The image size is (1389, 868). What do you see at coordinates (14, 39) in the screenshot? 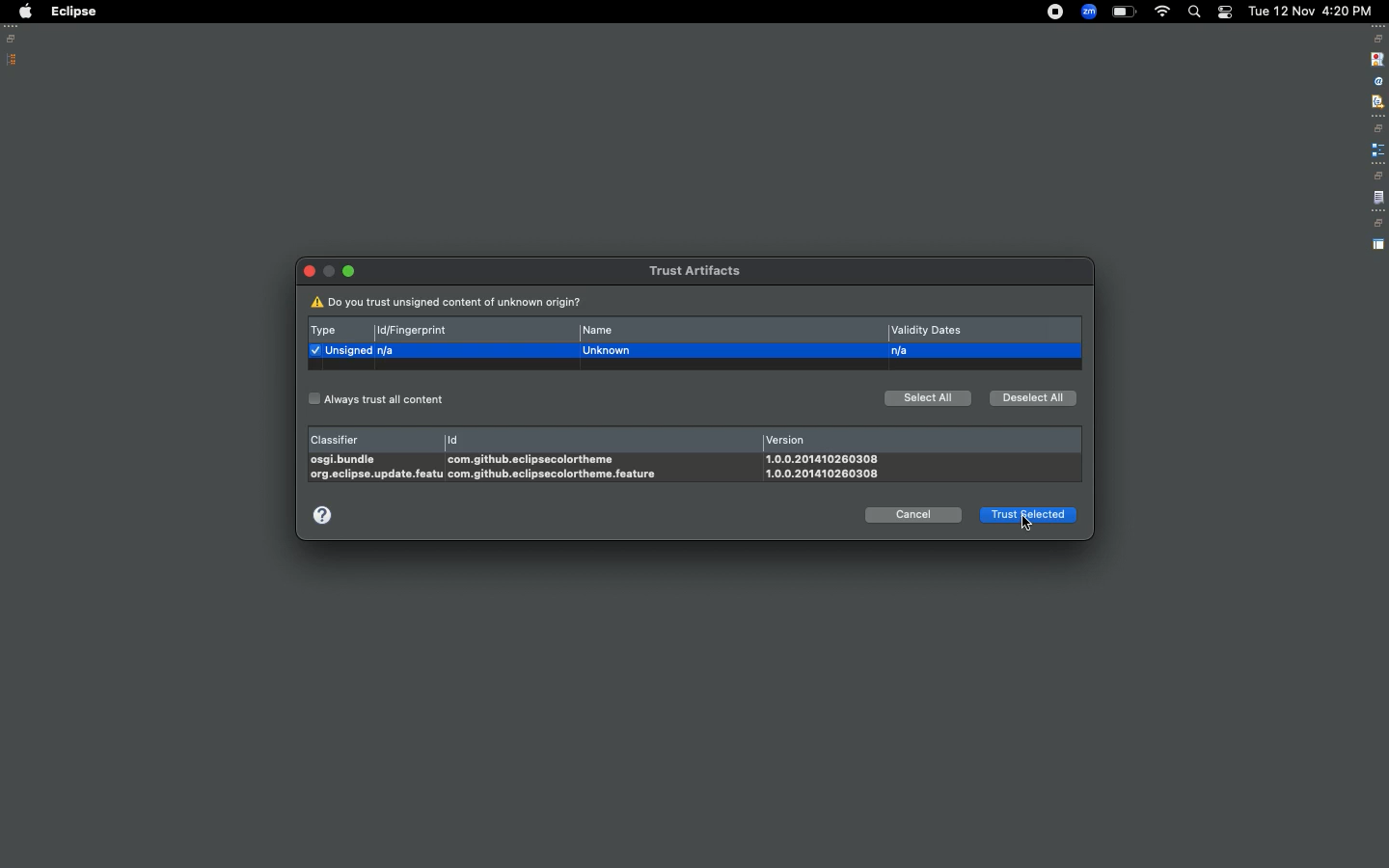
I see `Restore` at bounding box center [14, 39].